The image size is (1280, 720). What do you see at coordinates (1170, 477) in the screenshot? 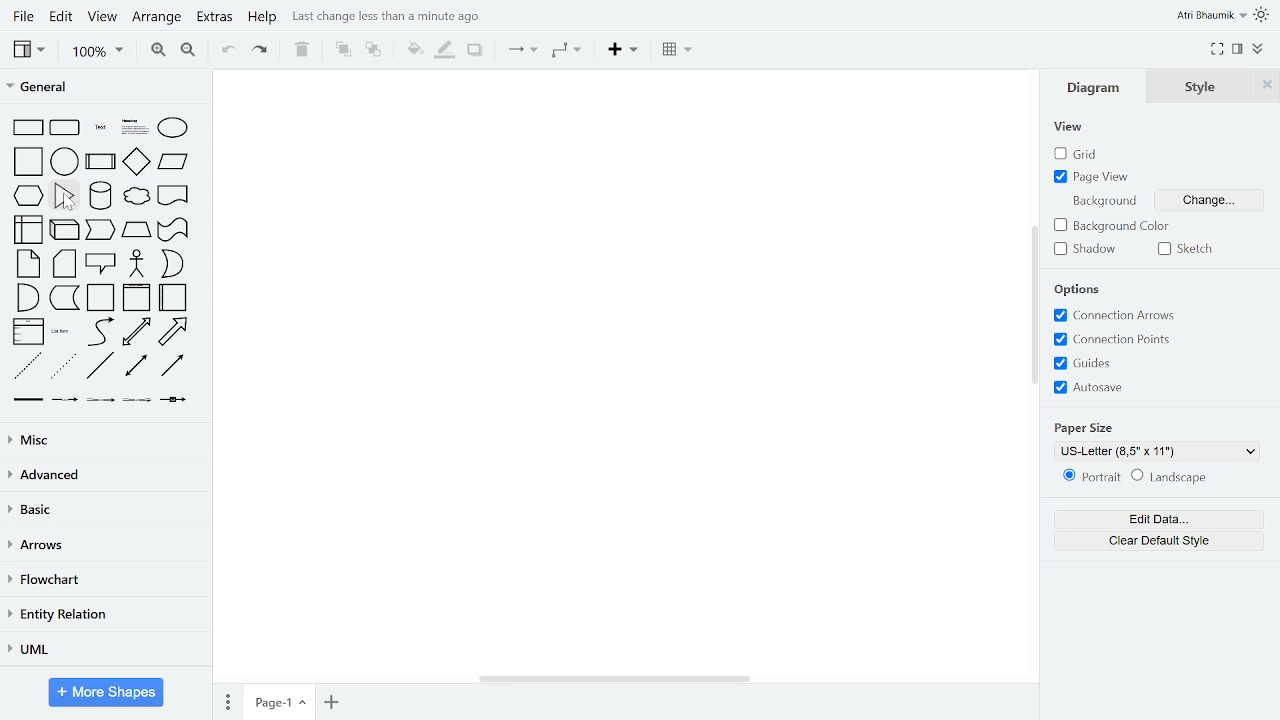
I see `landscape` at bounding box center [1170, 477].